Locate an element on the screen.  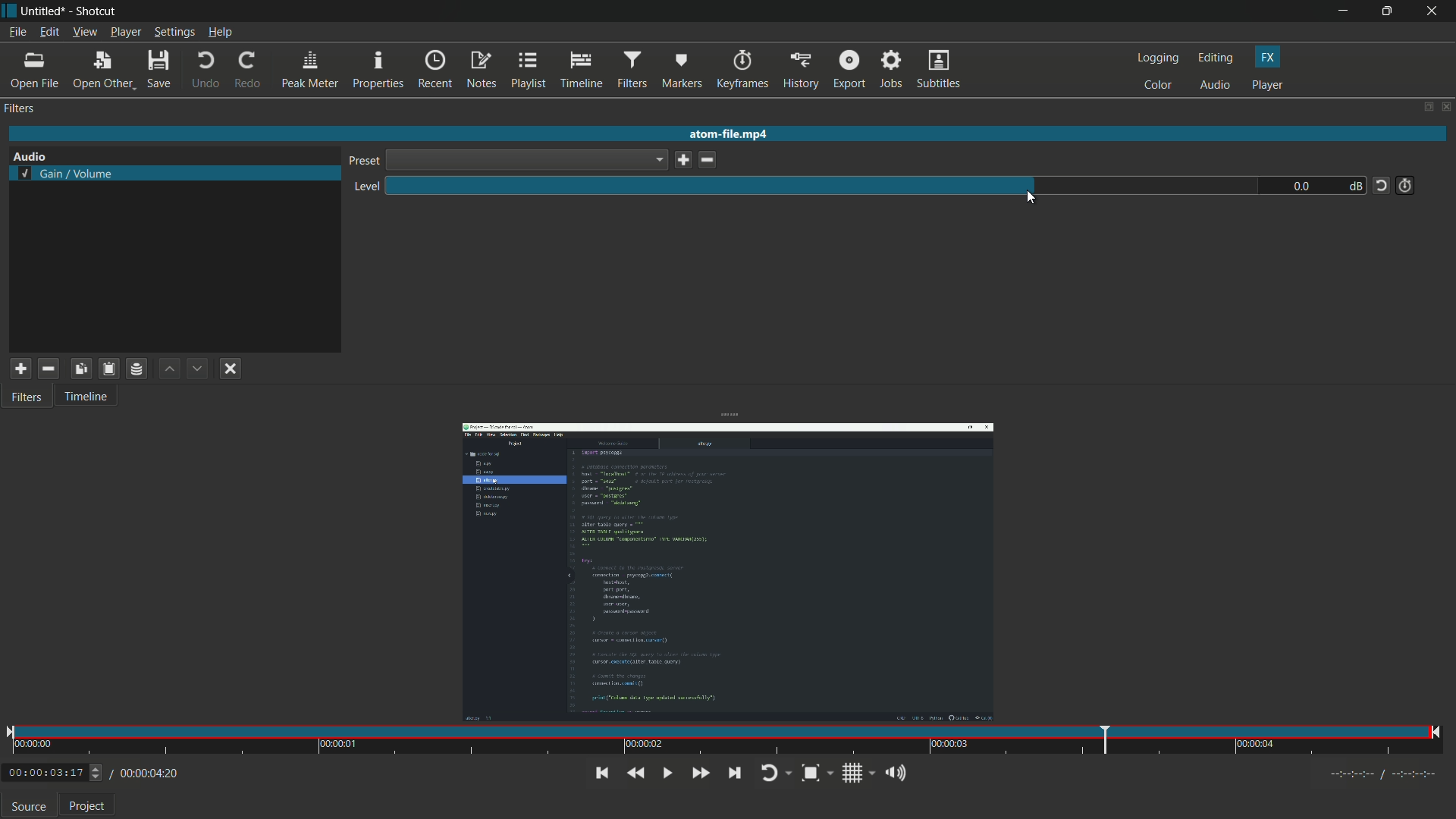
Timeline is located at coordinates (93, 399).